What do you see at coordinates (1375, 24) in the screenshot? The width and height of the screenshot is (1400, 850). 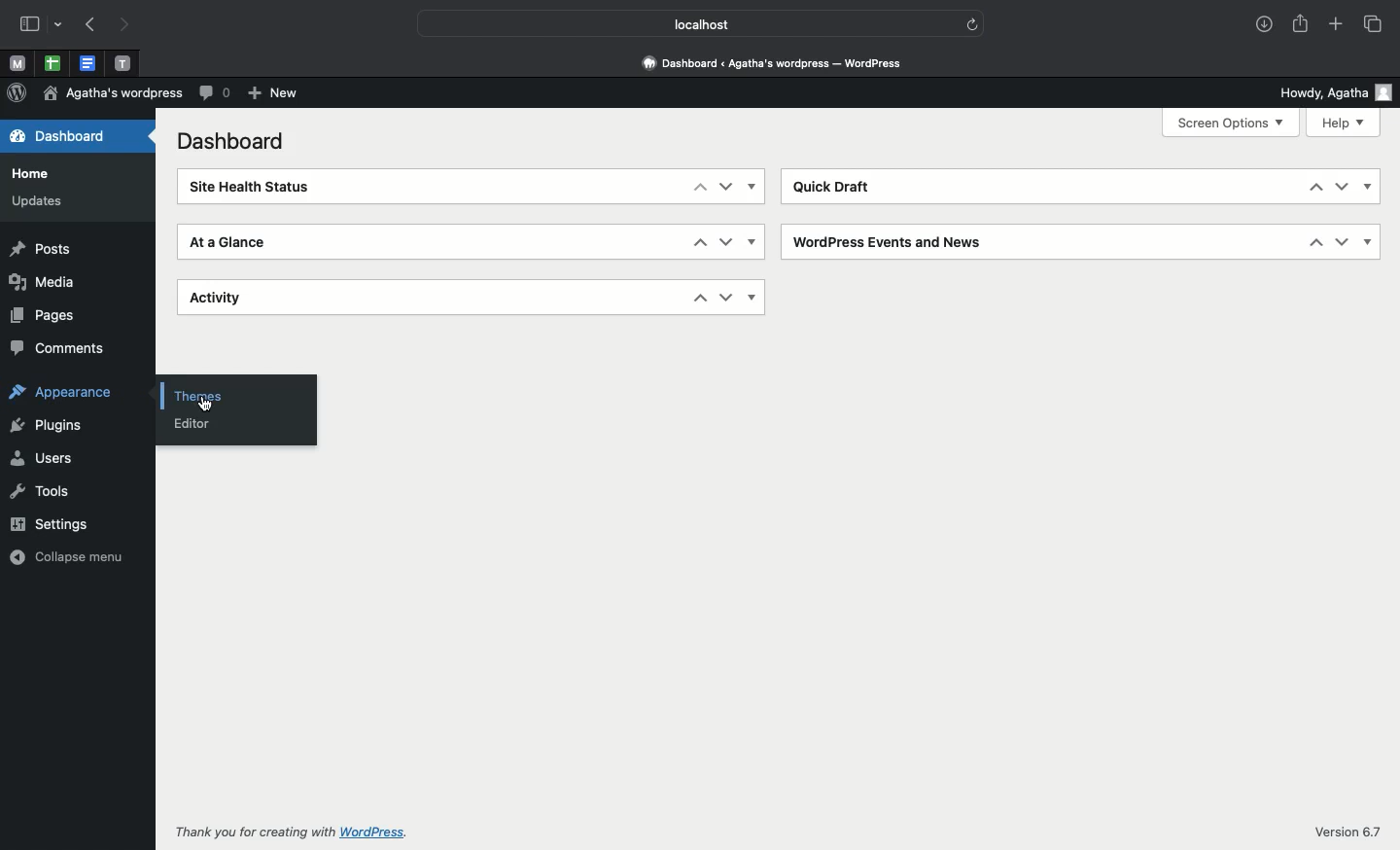 I see `Tabs` at bounding box center [1375, 24].